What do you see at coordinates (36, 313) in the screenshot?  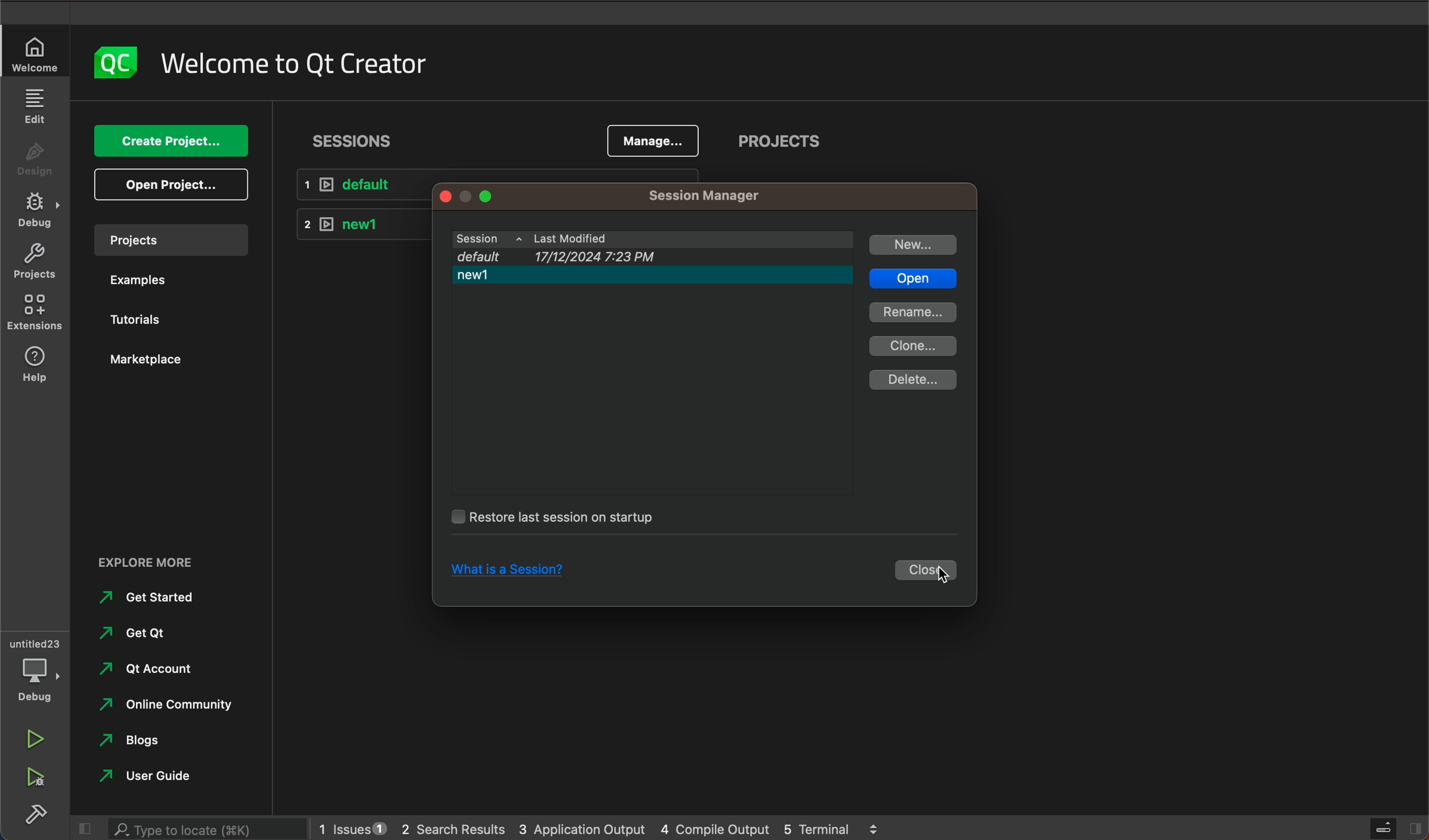 I see `Extensions` at bounding box center [36, 313].